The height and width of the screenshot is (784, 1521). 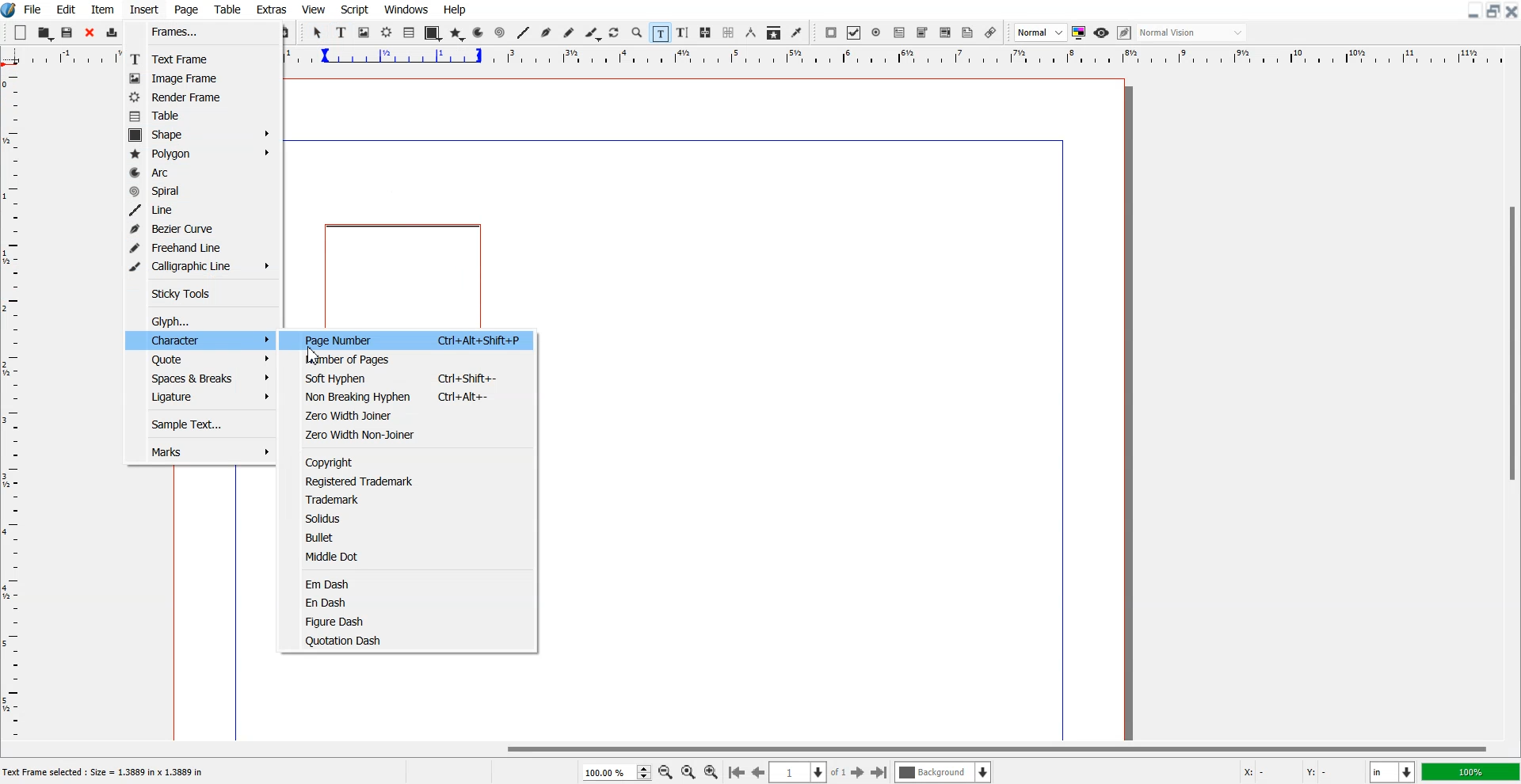 I want to click on Text Frame, so click(x=196, y=59).